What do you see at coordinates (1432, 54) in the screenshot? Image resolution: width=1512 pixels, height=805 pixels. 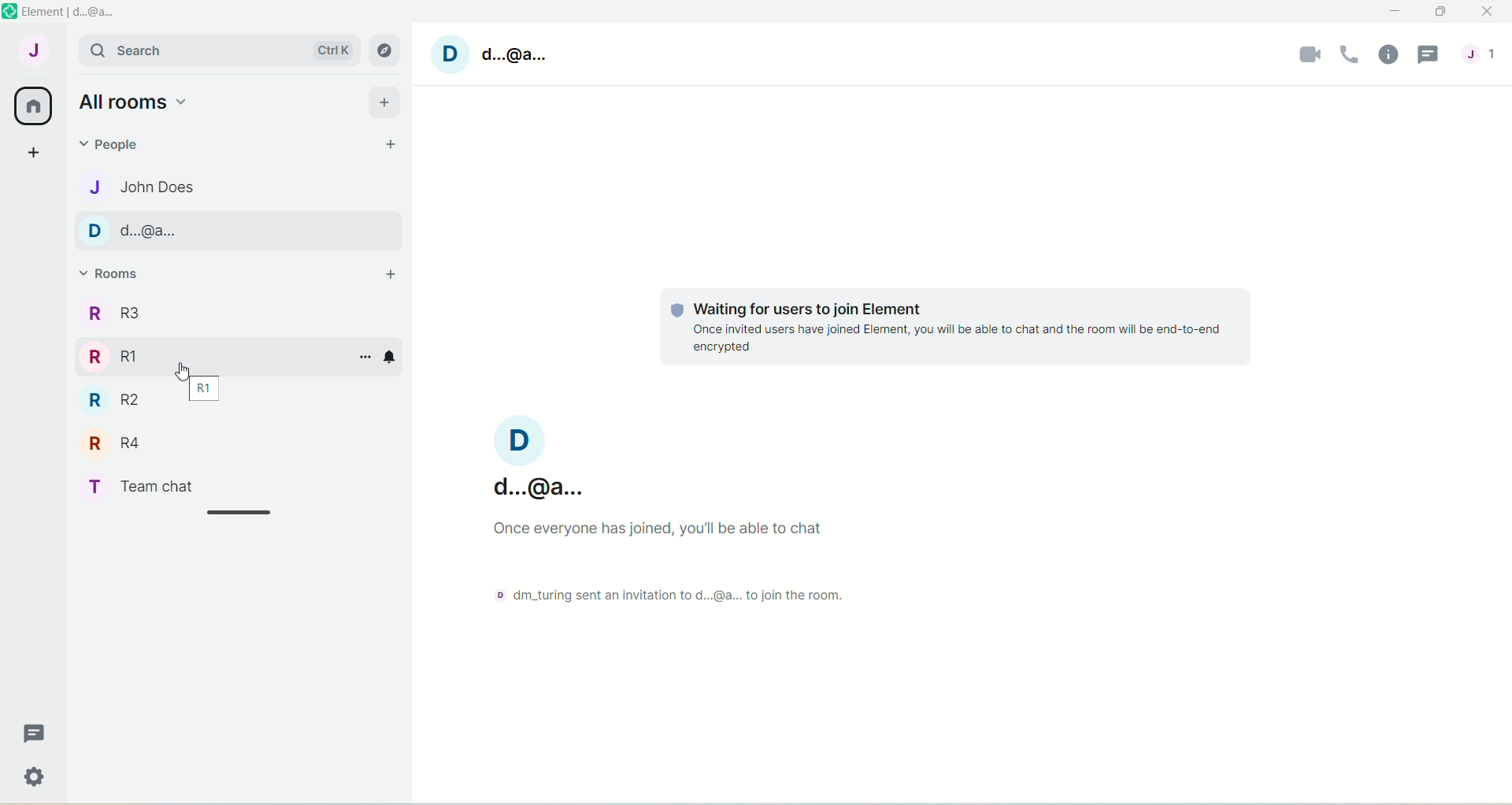 I see `threads` at bounding box center [1432, 54].